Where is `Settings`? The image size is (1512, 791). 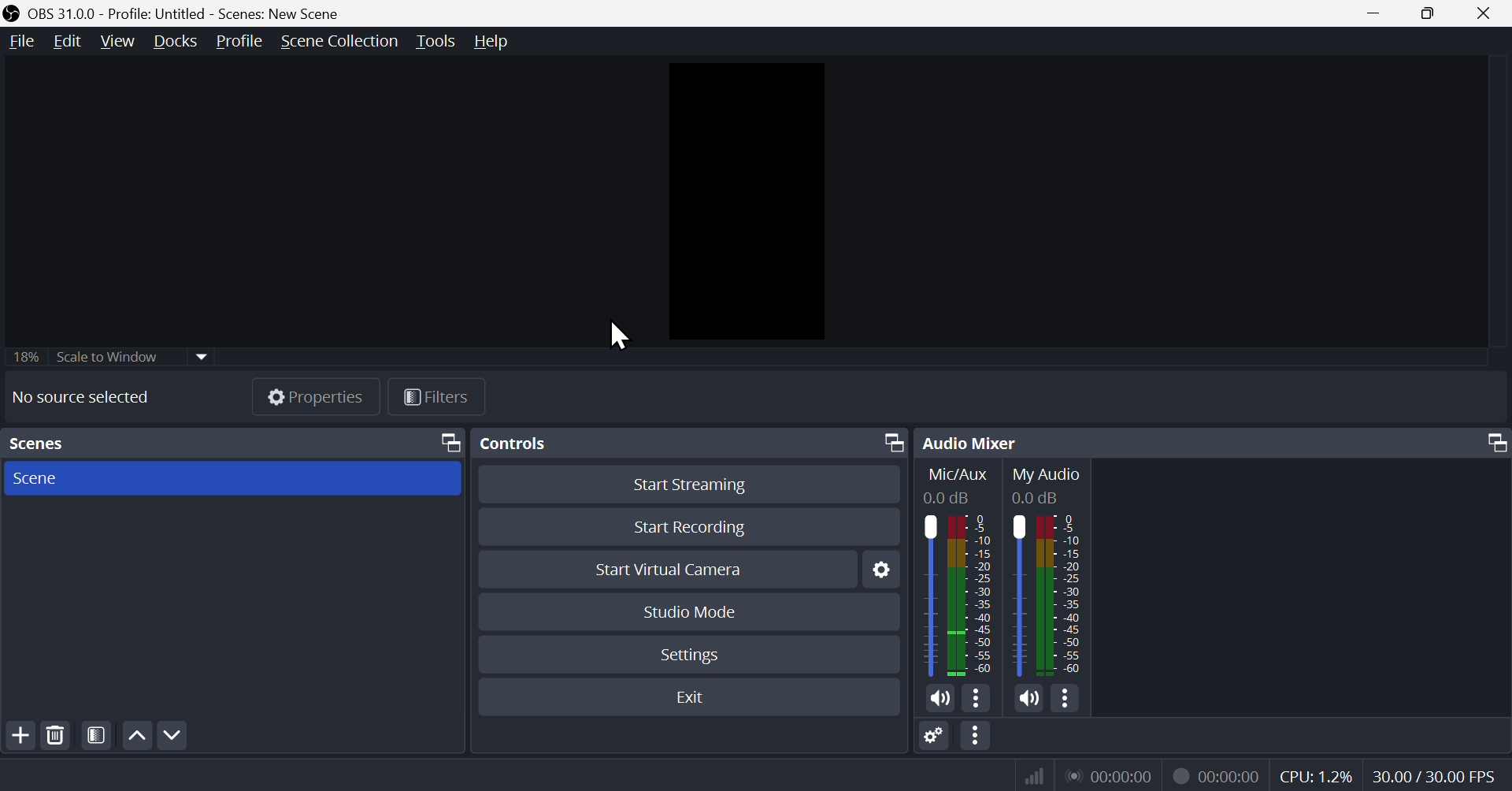
Settings is located at coordinates (879, 570).